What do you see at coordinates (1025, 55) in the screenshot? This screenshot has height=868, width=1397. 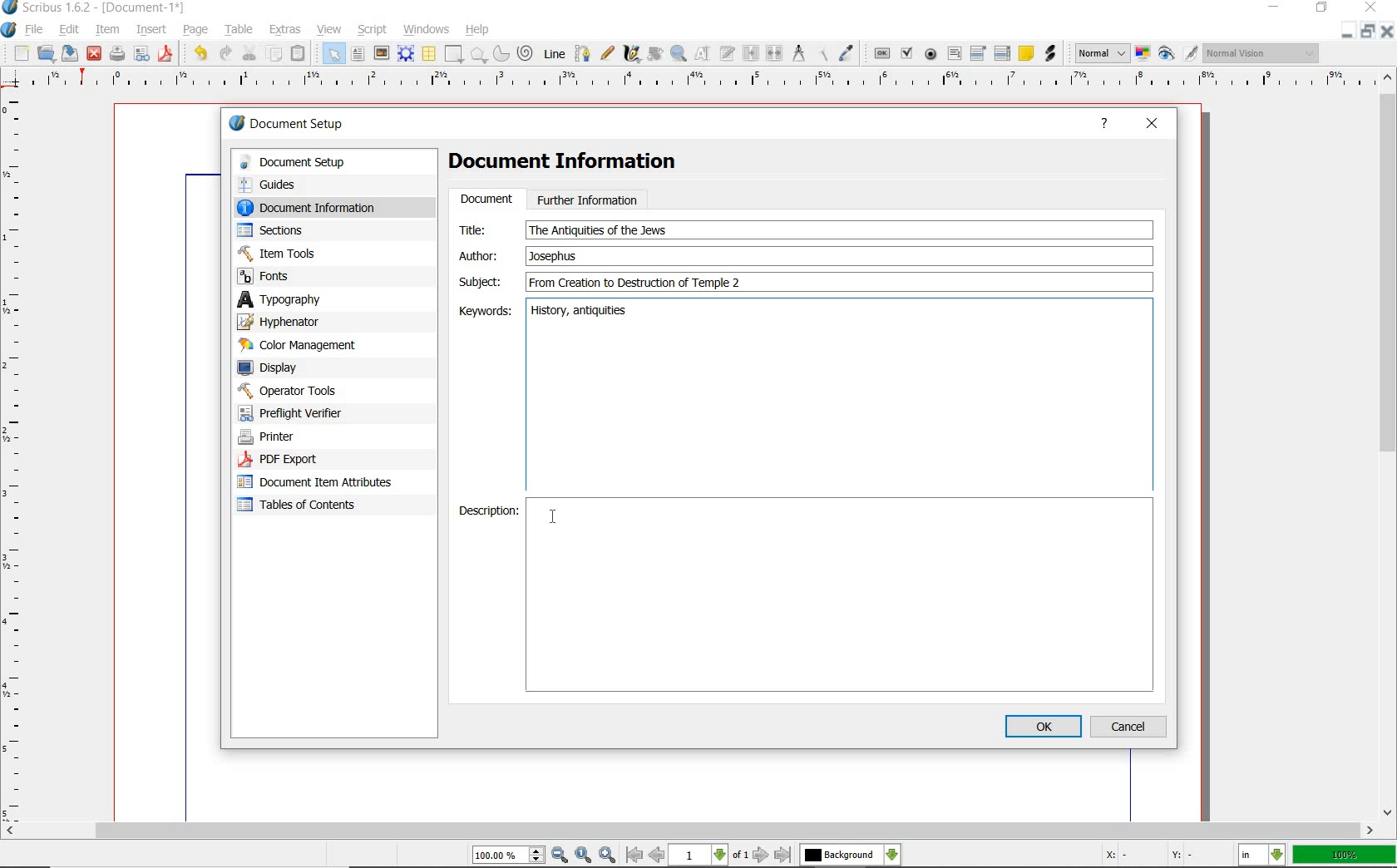 I see `text annotation` at bounding box center [1025, 55].